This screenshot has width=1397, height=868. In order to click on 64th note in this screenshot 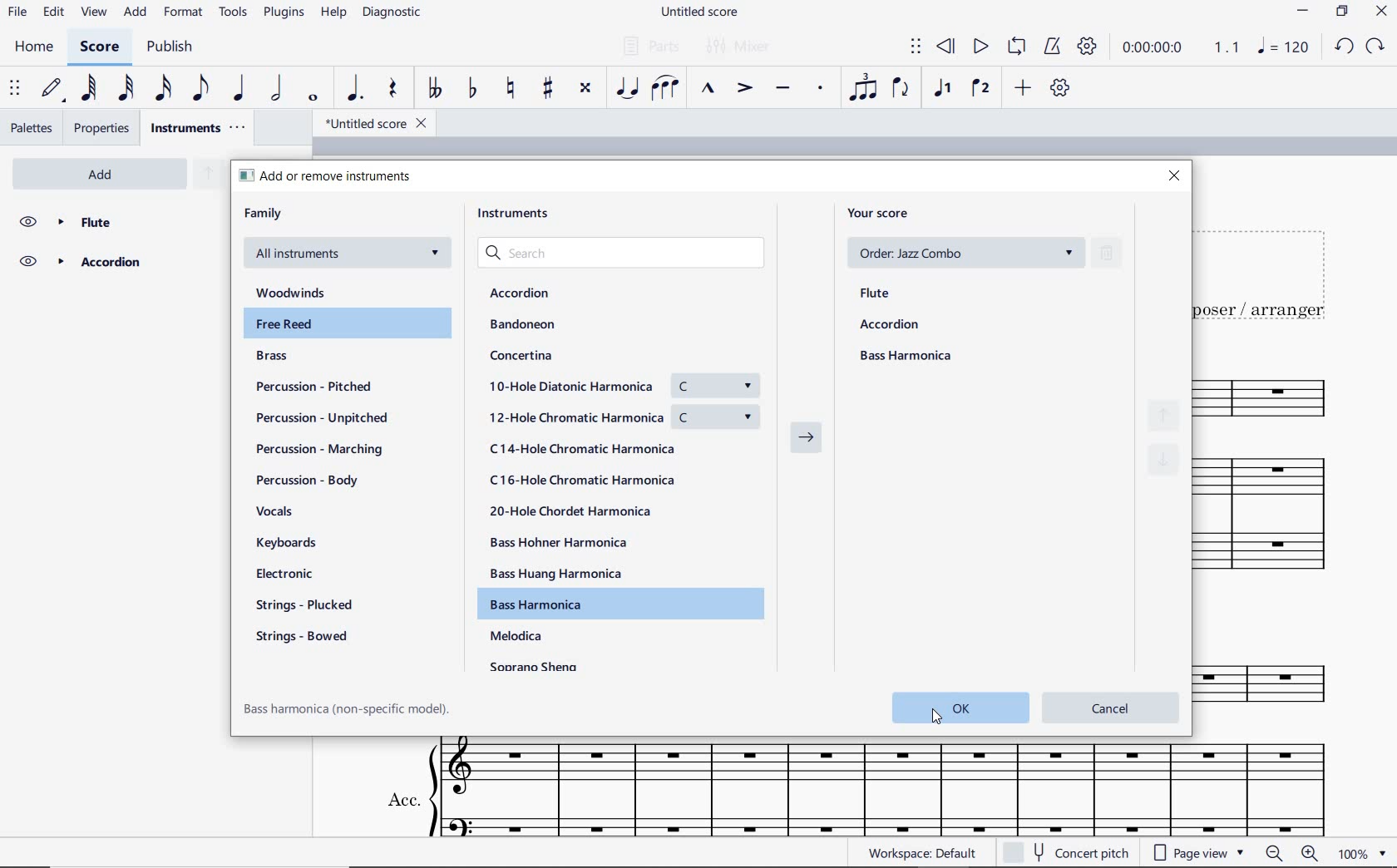, I will do `click(89, 88)`.